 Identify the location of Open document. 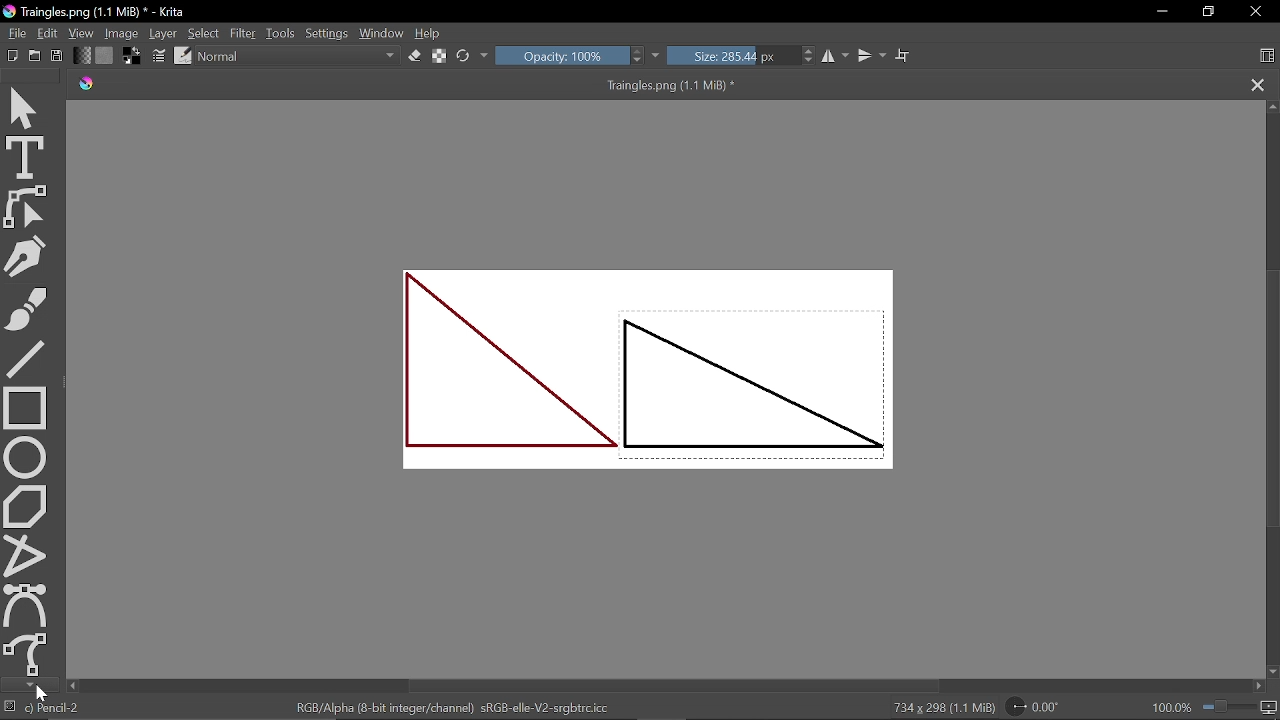
(34, 55).